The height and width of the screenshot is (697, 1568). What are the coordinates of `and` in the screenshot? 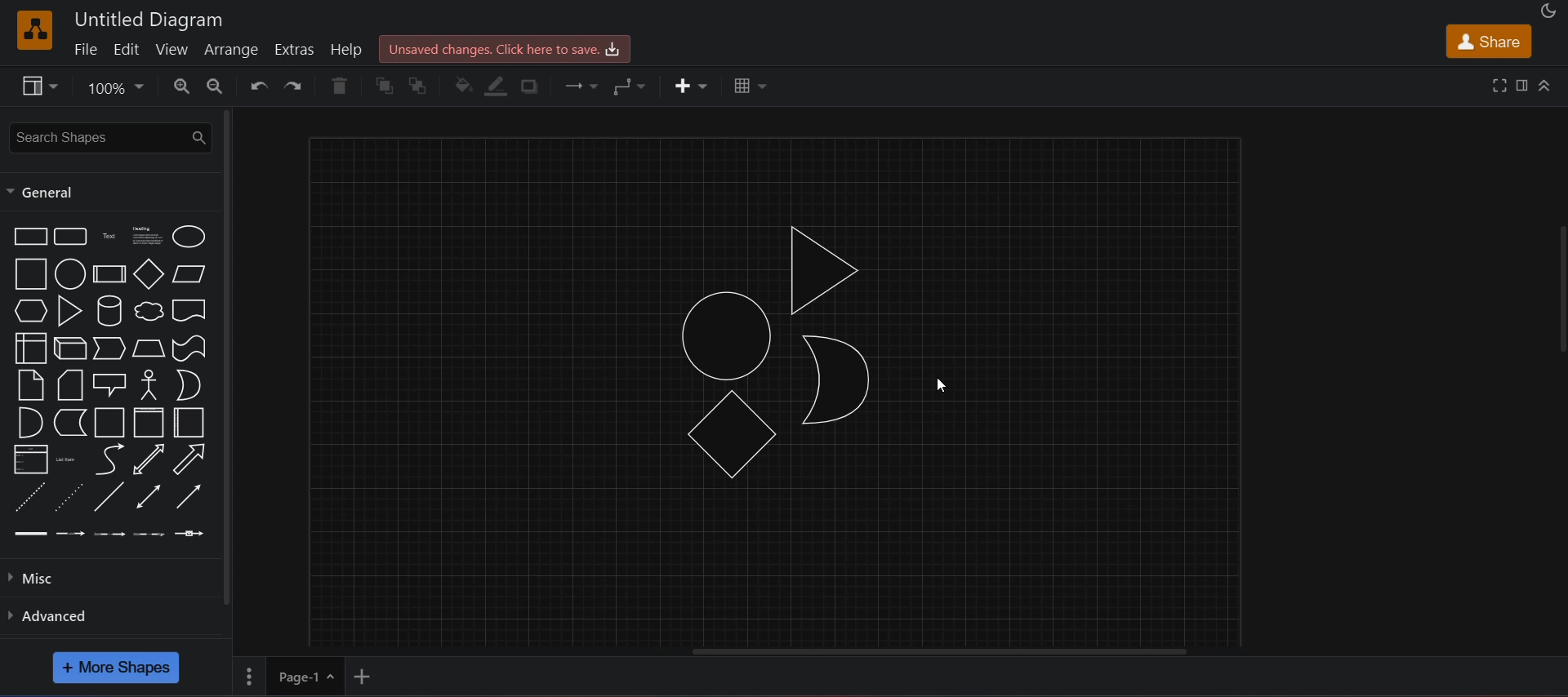 It's located at (29, 421).